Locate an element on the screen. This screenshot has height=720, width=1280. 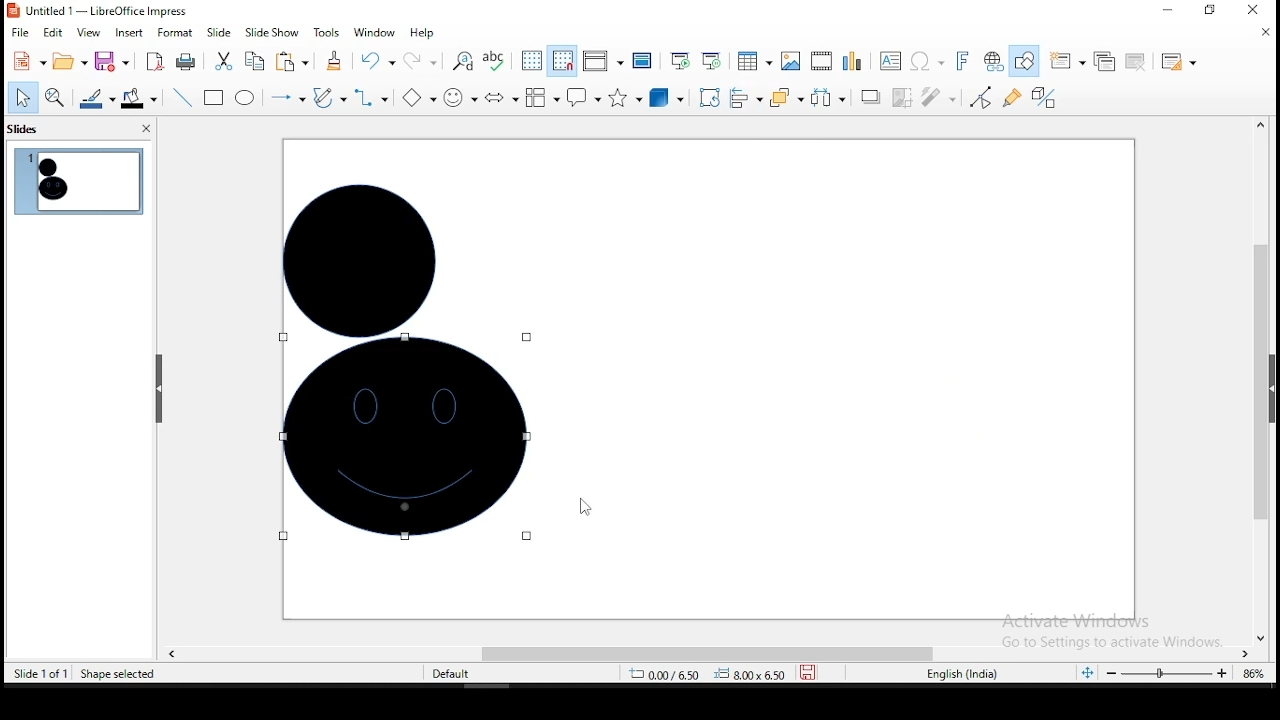
view is located at coordinates (89, 34).